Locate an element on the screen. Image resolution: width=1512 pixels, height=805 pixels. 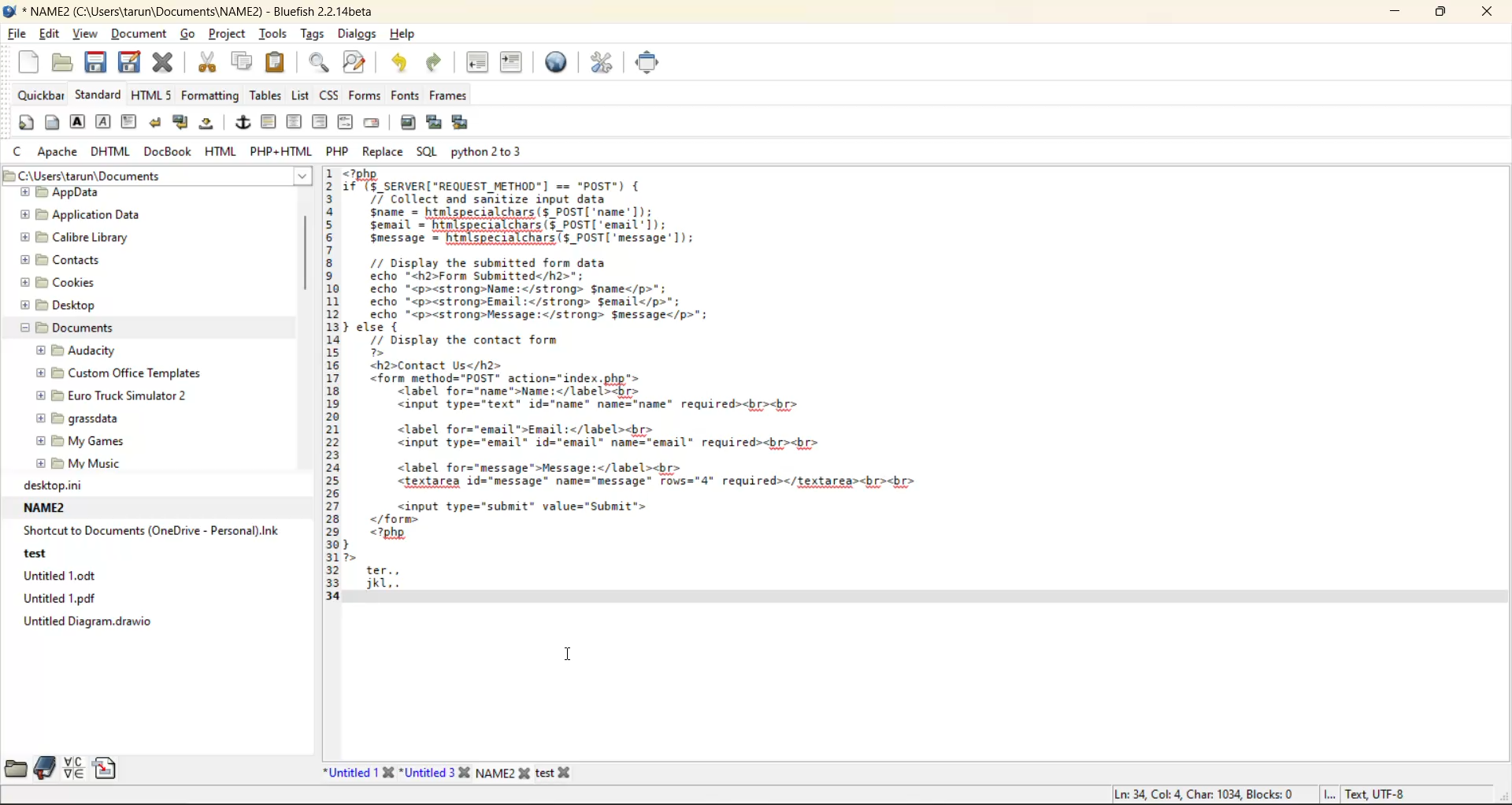
horizontal rule is located at coordinates (269, 124).